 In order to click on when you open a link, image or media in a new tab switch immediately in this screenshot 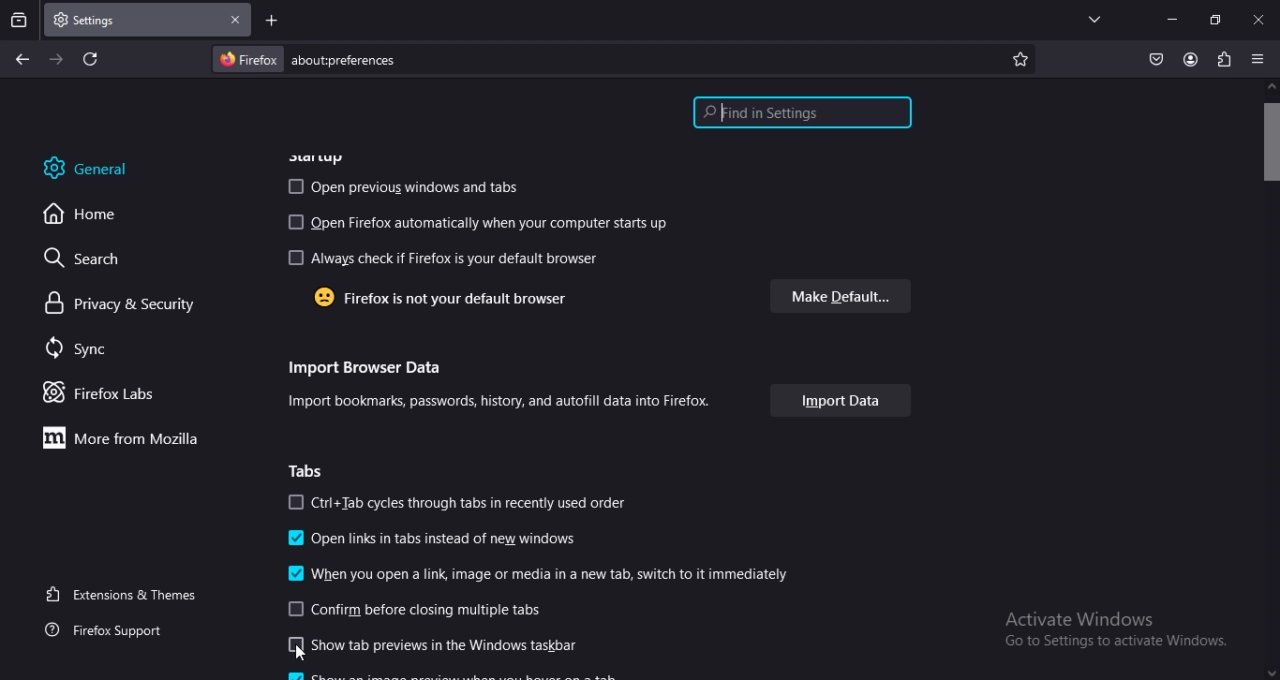, I will do `click(539, 574)`.